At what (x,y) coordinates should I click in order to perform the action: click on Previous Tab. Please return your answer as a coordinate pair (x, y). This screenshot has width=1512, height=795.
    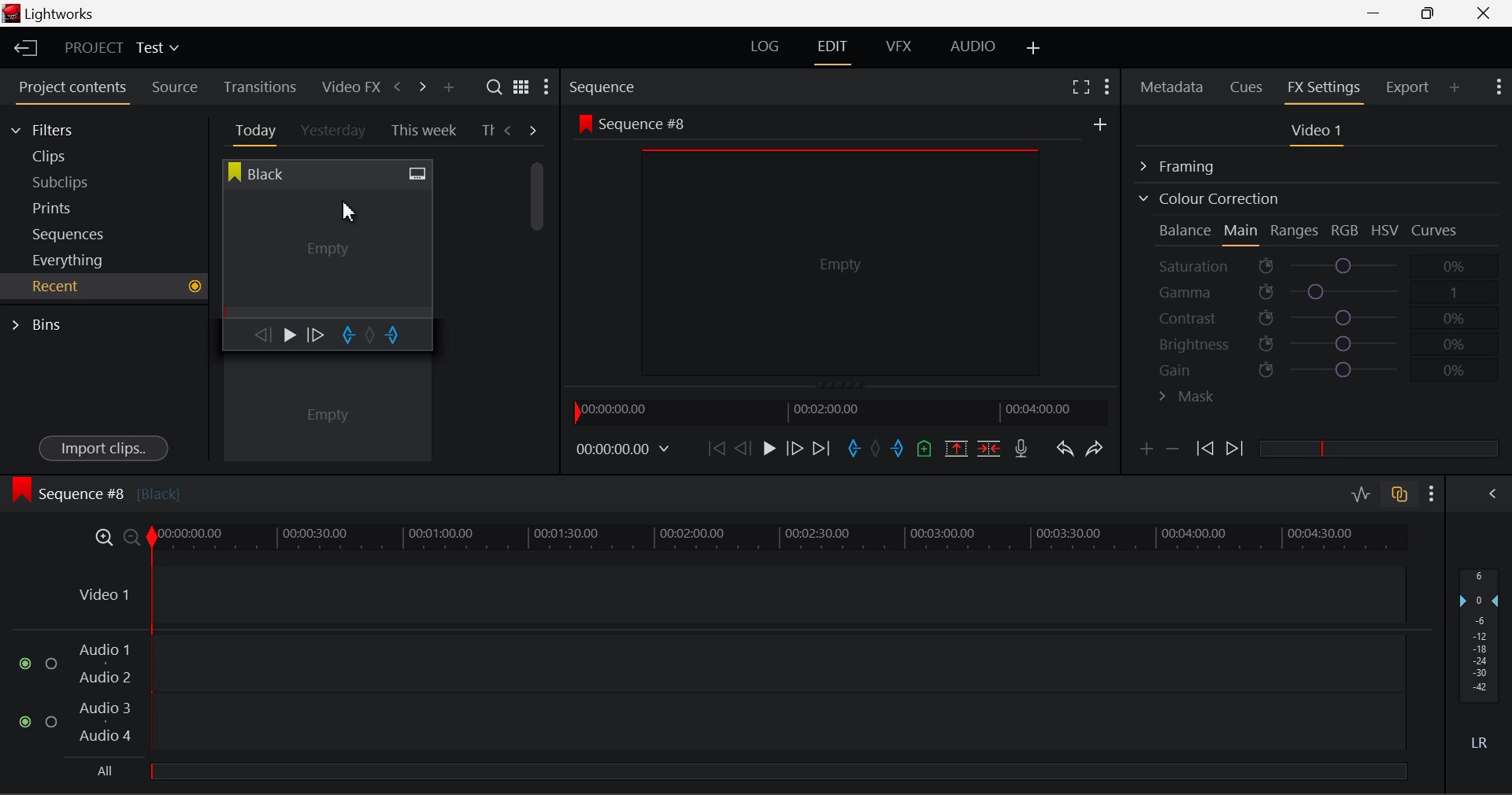
    Looking at the image, I should click on (510, 130).